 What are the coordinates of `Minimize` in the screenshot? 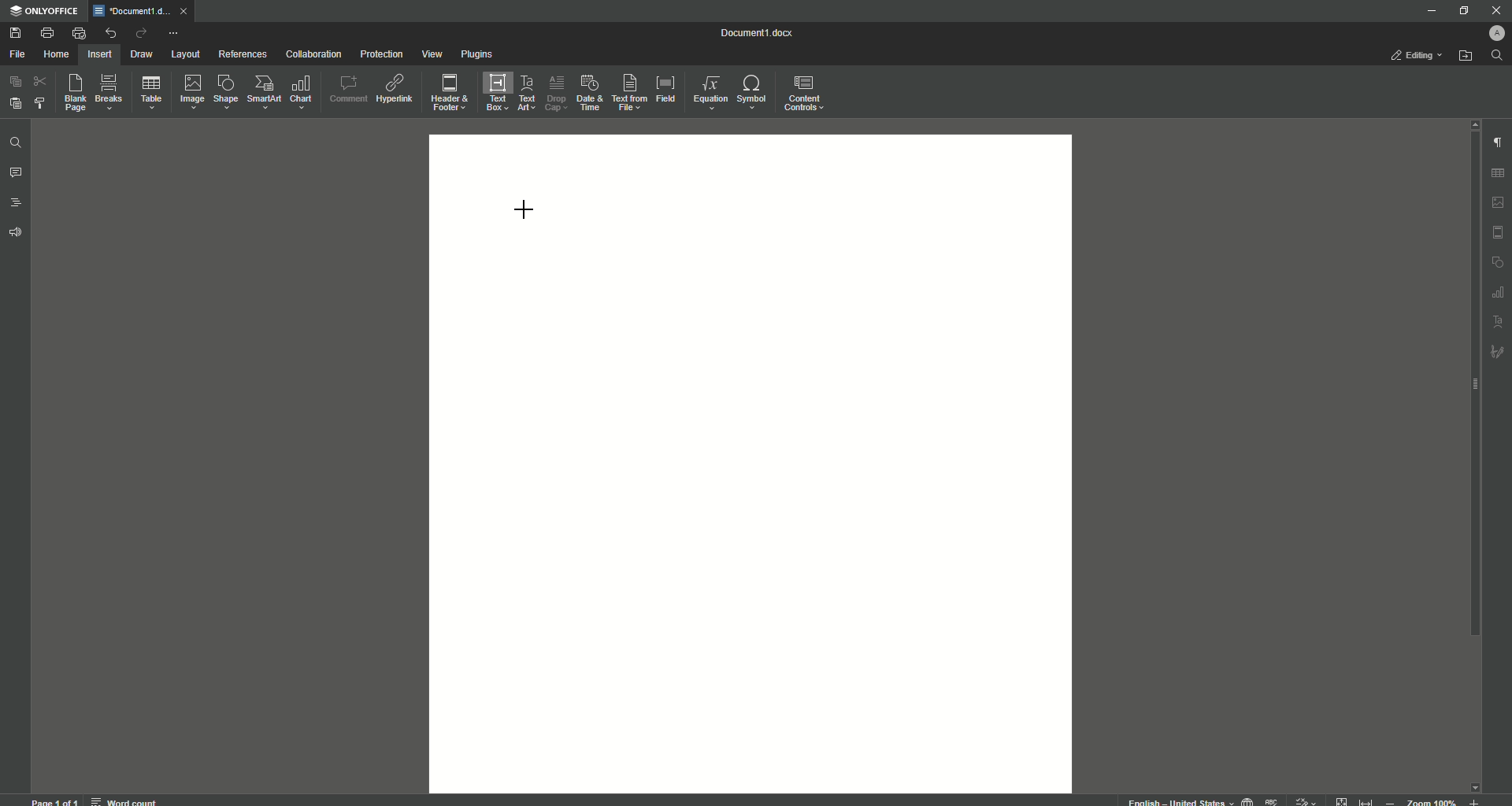 It's located at (1427, 10).